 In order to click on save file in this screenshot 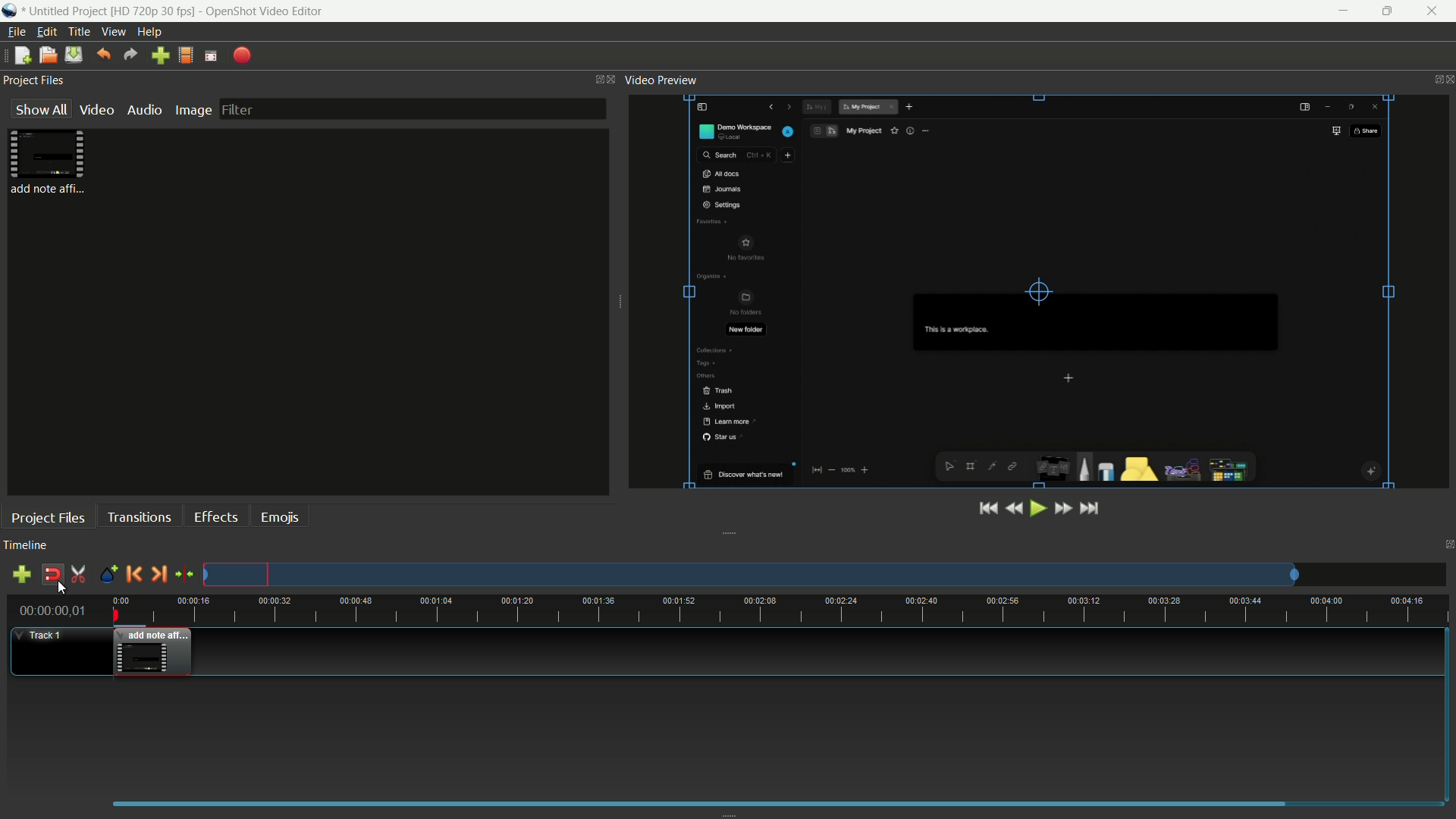, I will do `click(72, 55)`.